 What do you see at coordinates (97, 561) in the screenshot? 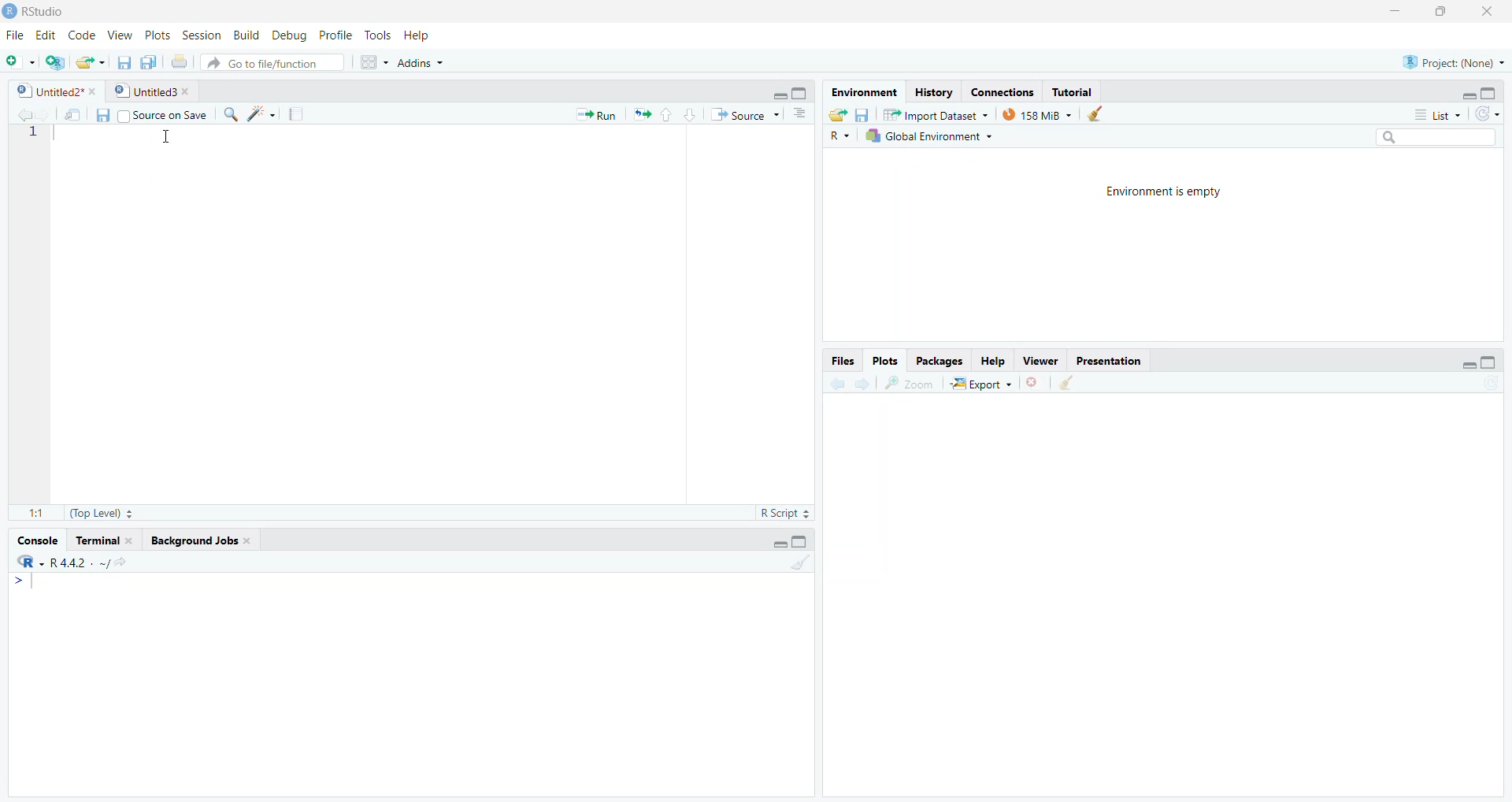
I see `R442 - ~/` at bounding box center [97, 561].